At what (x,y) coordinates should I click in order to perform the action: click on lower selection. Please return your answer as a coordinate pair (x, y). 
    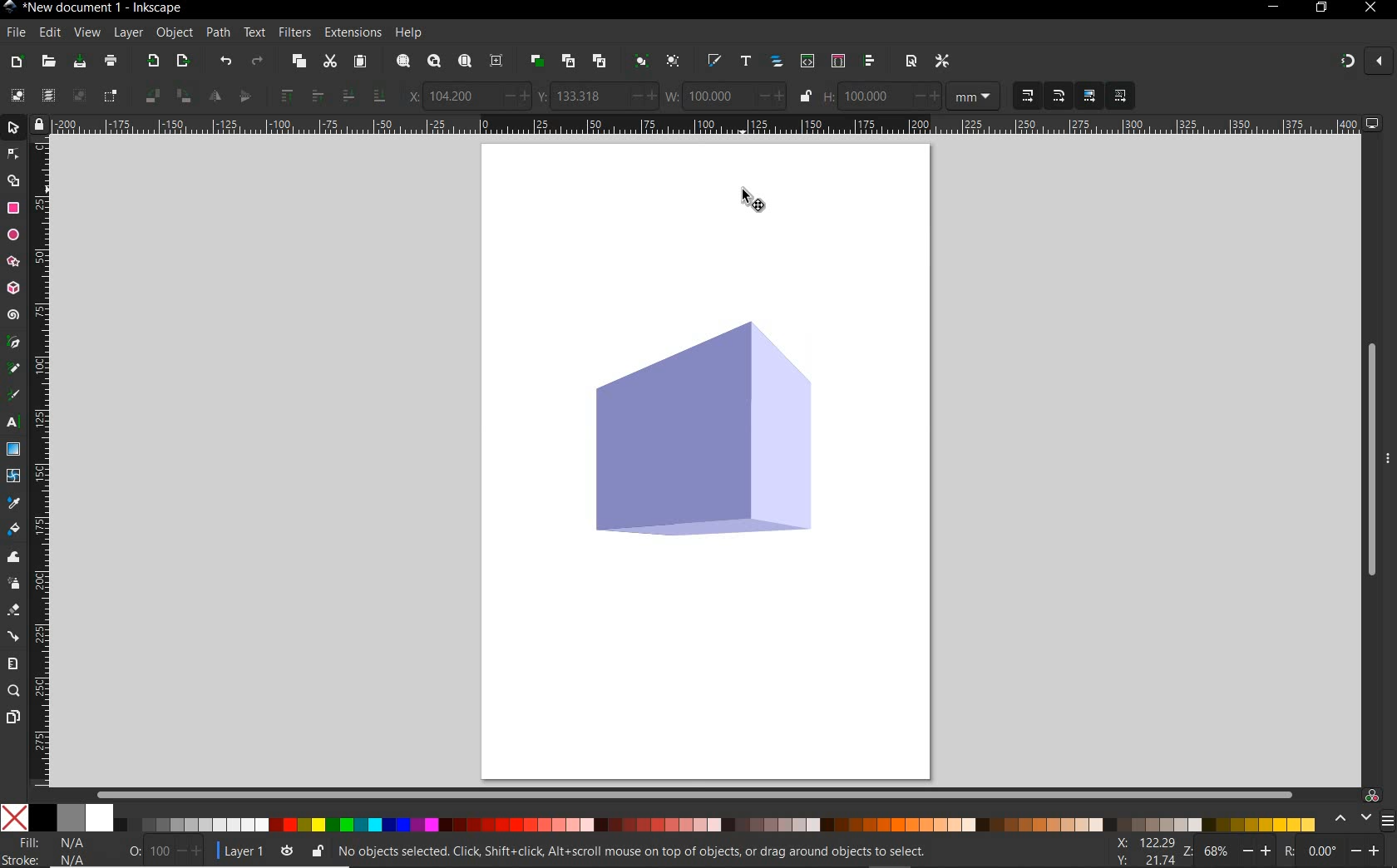
    Looking at the image, I should click on (347, 96).